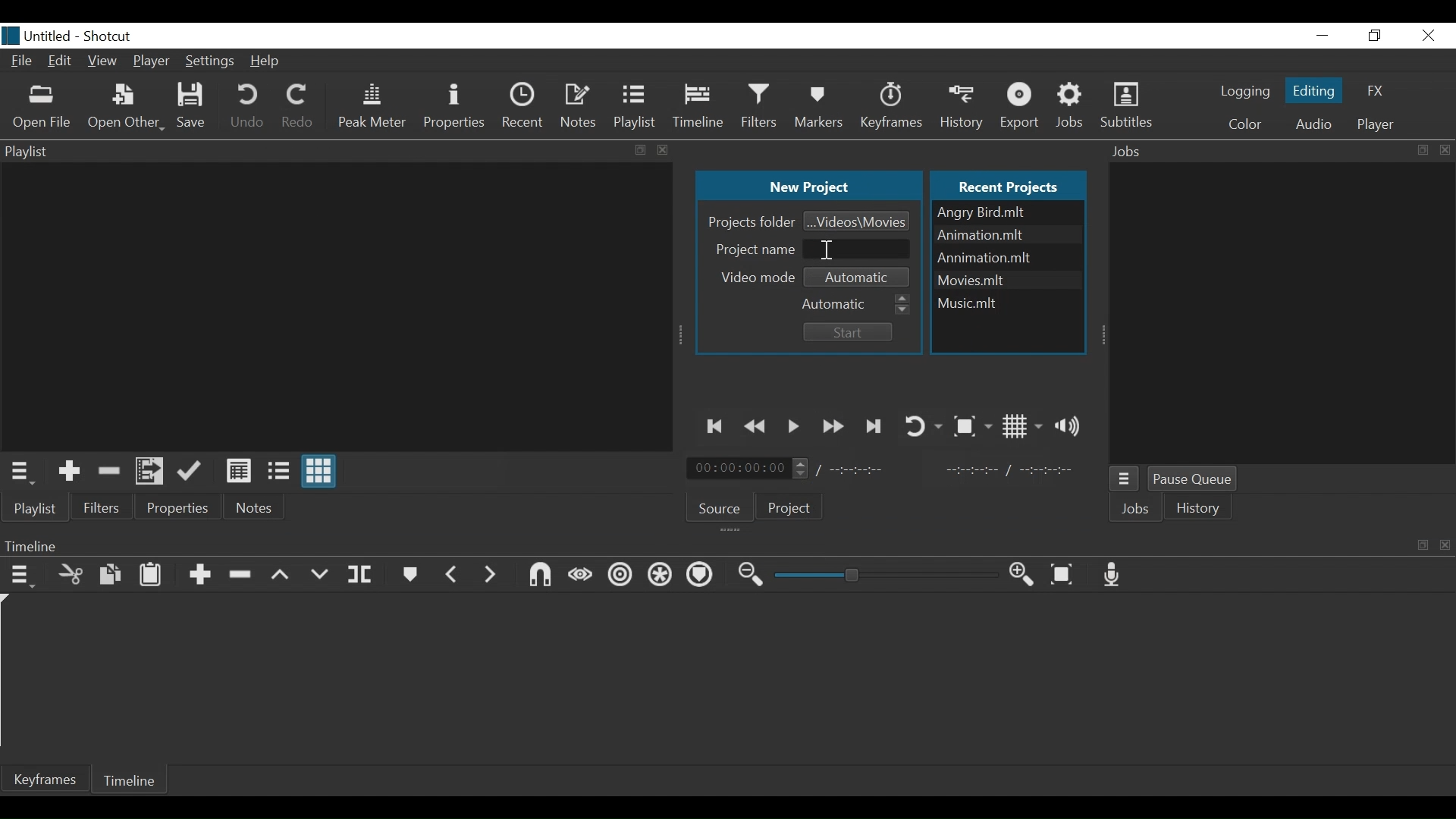 This screenshot has height=819, width=1456. Describe the element at coordinates (1280, 151) in the screenshot. I see `Jobs Panel` at that location.